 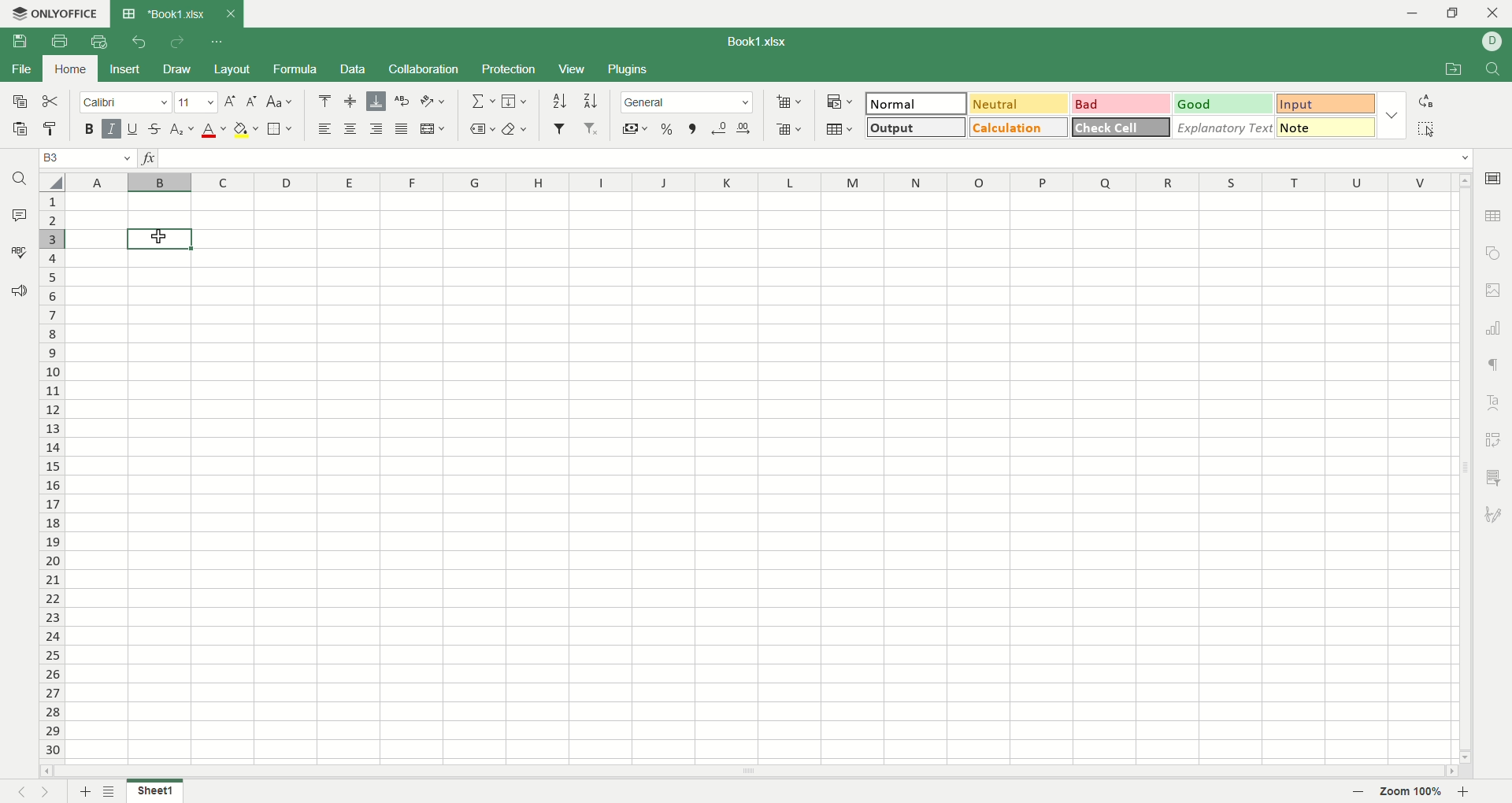 What do you see at coordinates (156, 128) in the screenshot?
I see `strikethrough` at bounding box center [156, 128].